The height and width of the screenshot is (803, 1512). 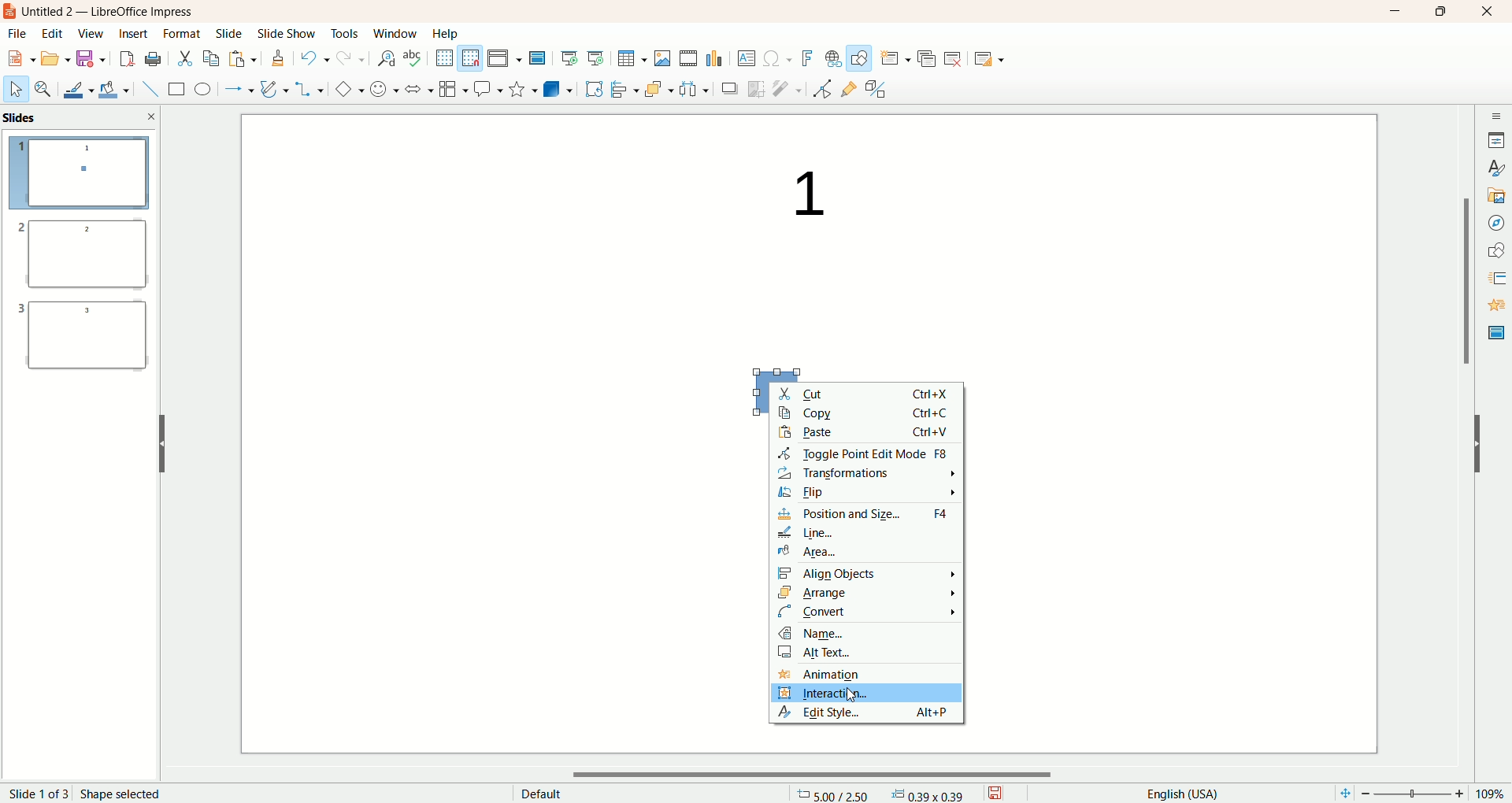 I want to click on ctrl+c, so click(x=934, y=413).